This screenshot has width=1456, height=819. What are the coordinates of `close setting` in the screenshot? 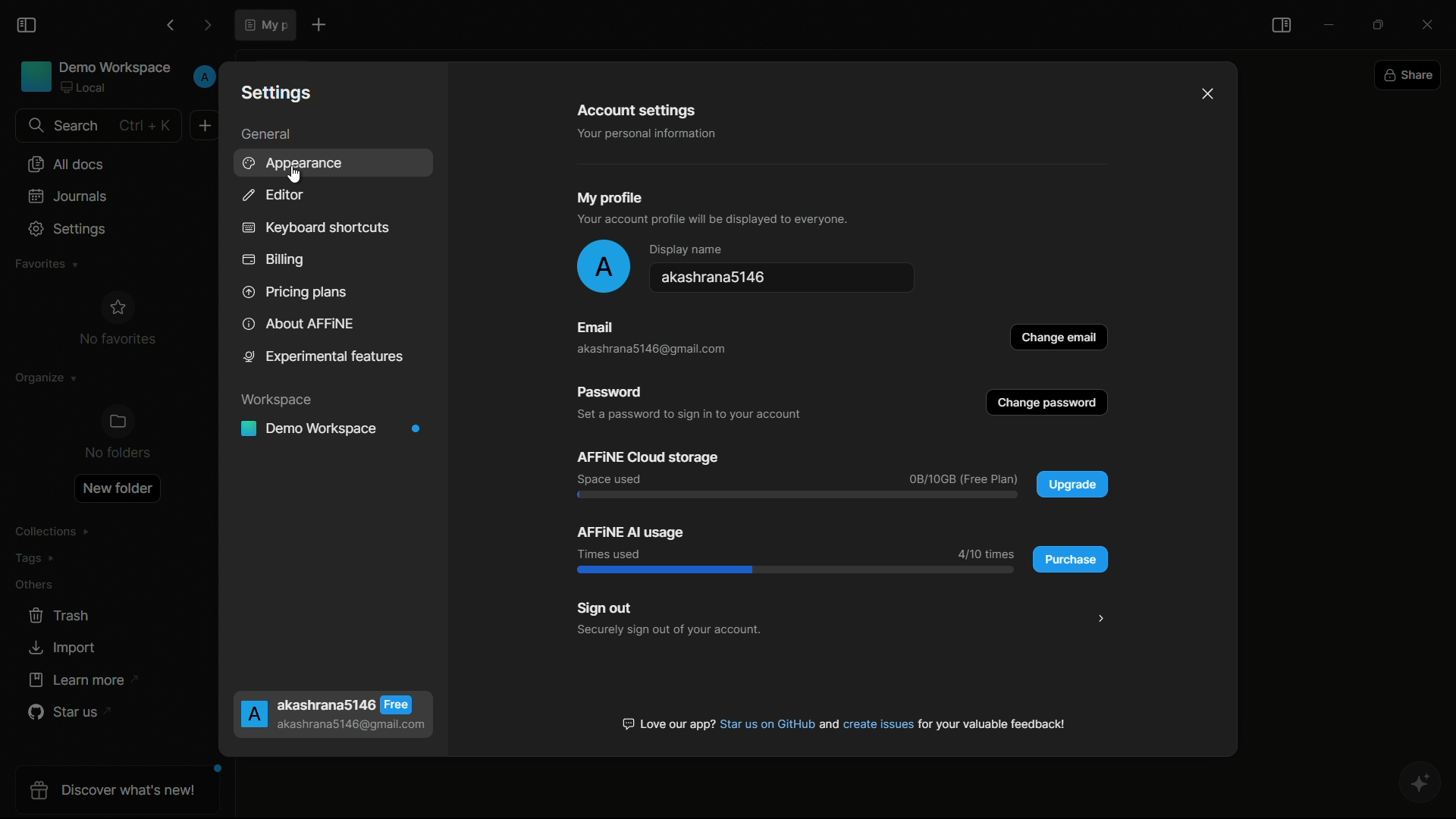 It's located at (1210, 93).